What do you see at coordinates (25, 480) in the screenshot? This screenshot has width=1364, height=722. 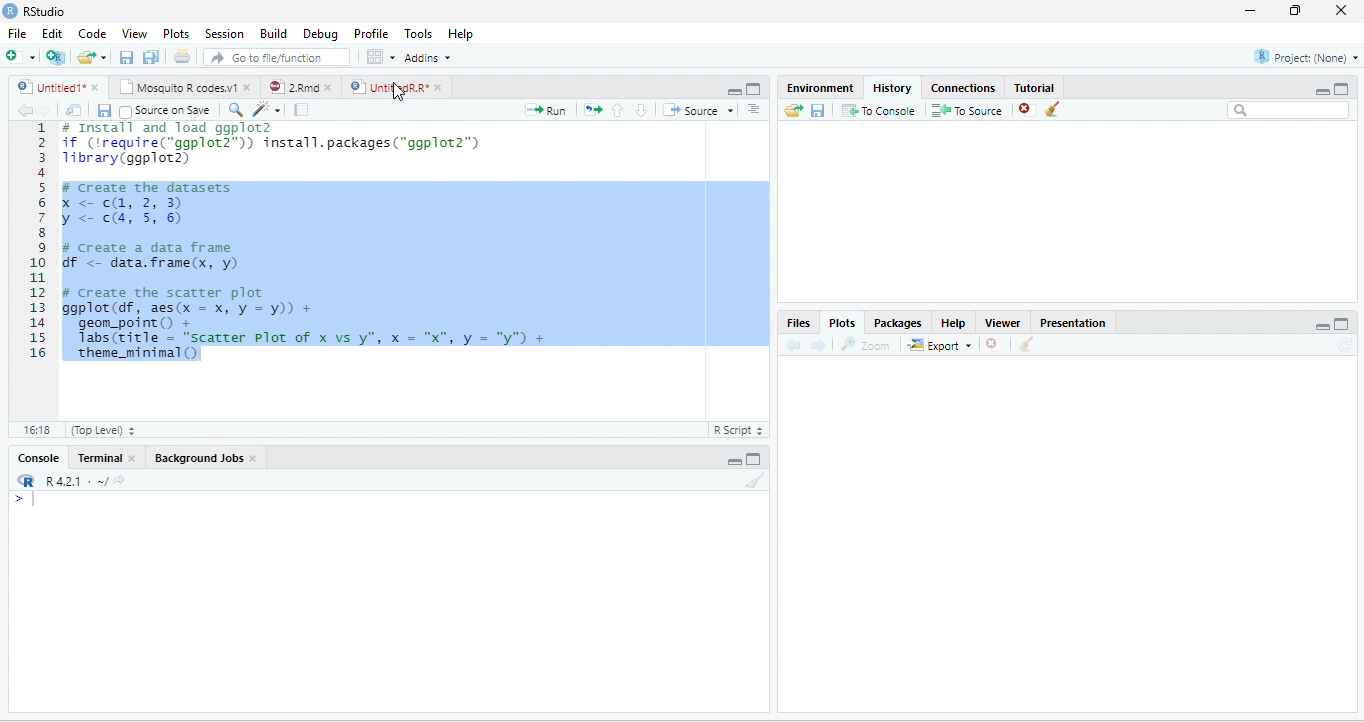 I see `R` at bounding box center [25, 480].